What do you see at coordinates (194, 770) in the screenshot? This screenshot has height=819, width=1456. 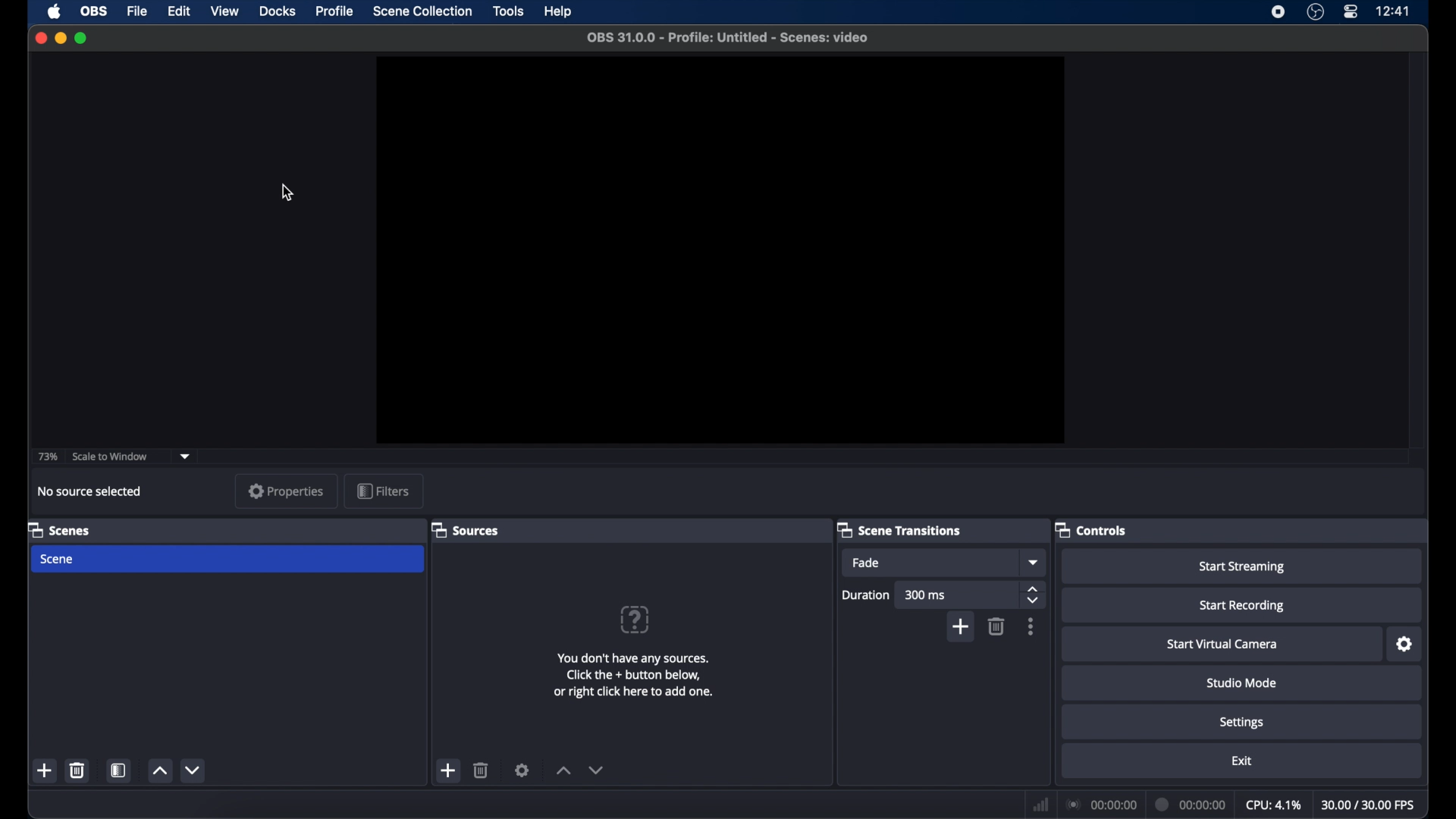 I see `decrement` at bounding box center [194, 770].